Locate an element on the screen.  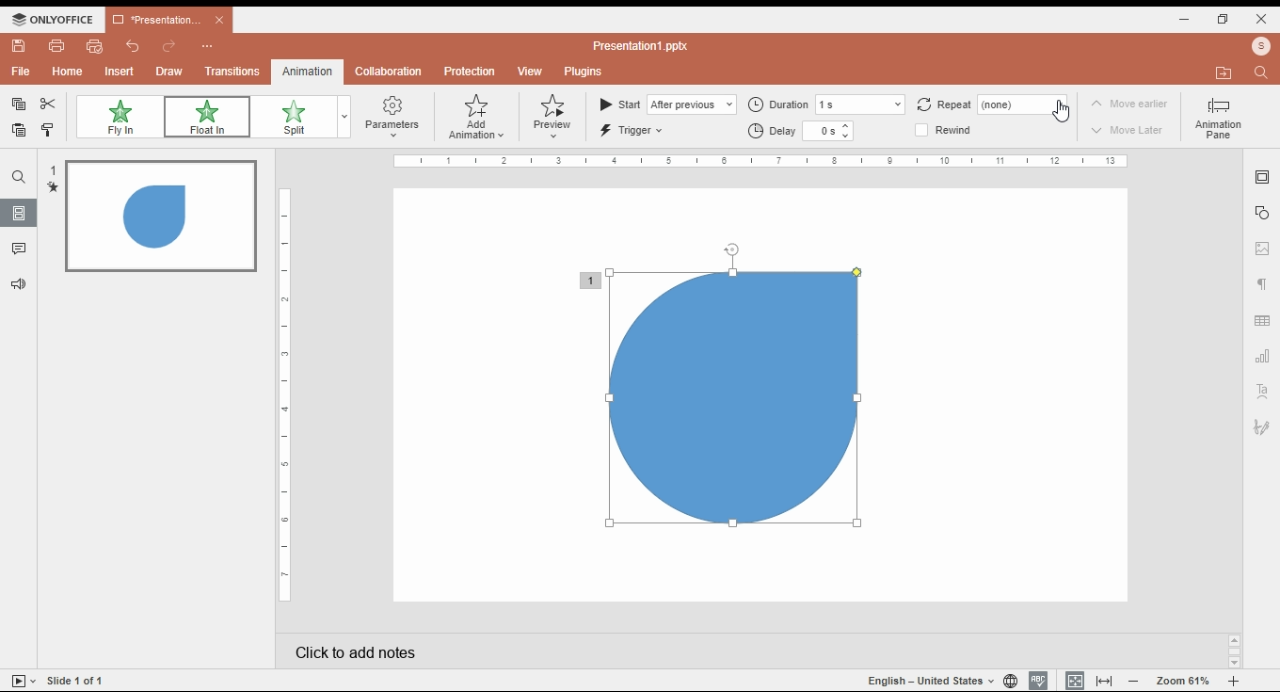
add animation is located at coordinates (478, 118).